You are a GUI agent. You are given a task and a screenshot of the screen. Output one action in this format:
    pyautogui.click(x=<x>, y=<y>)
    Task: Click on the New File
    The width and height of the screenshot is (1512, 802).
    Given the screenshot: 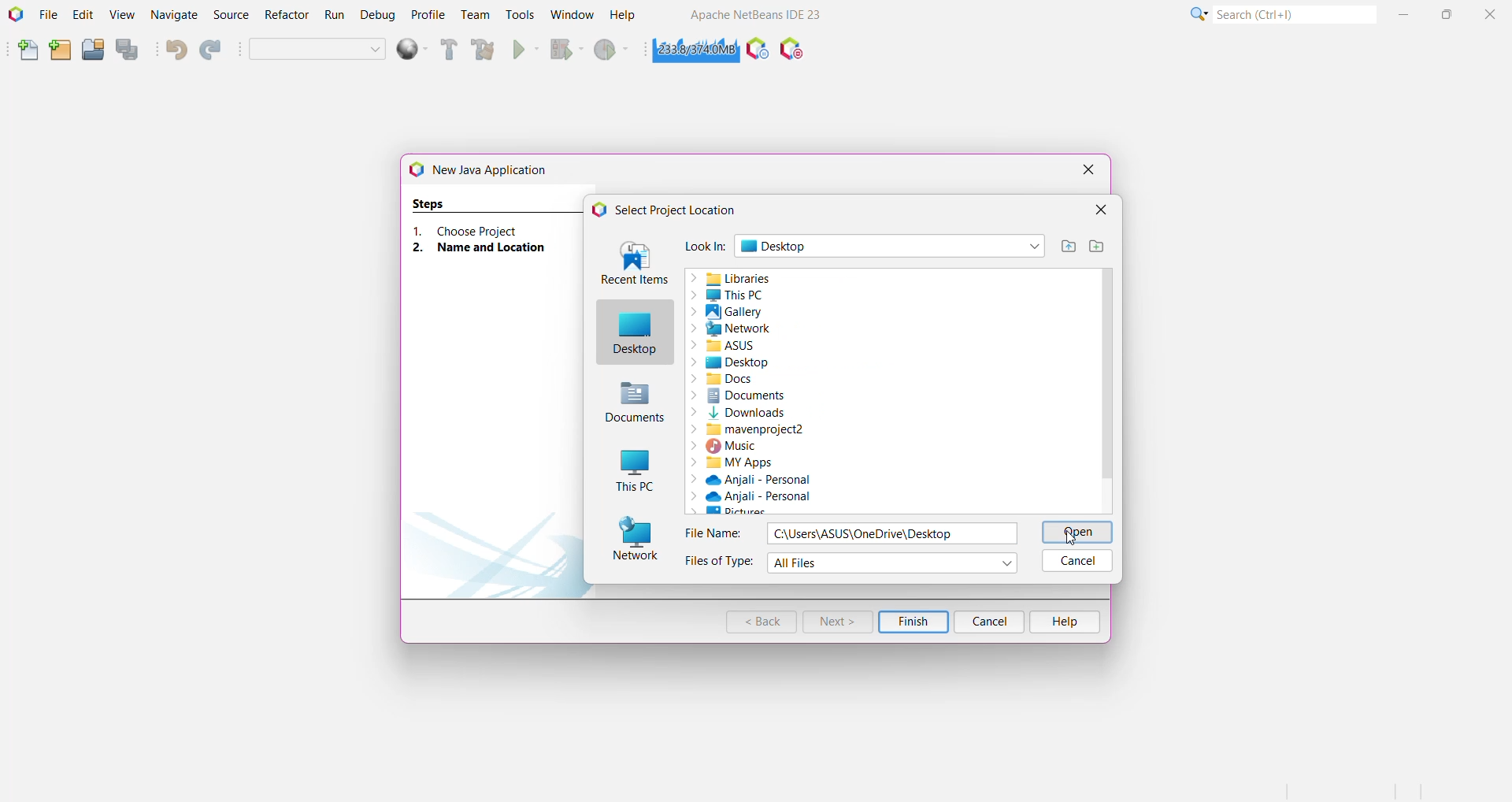 What is the action you would take?
    pyautogui.click(x=25, y=50)
    